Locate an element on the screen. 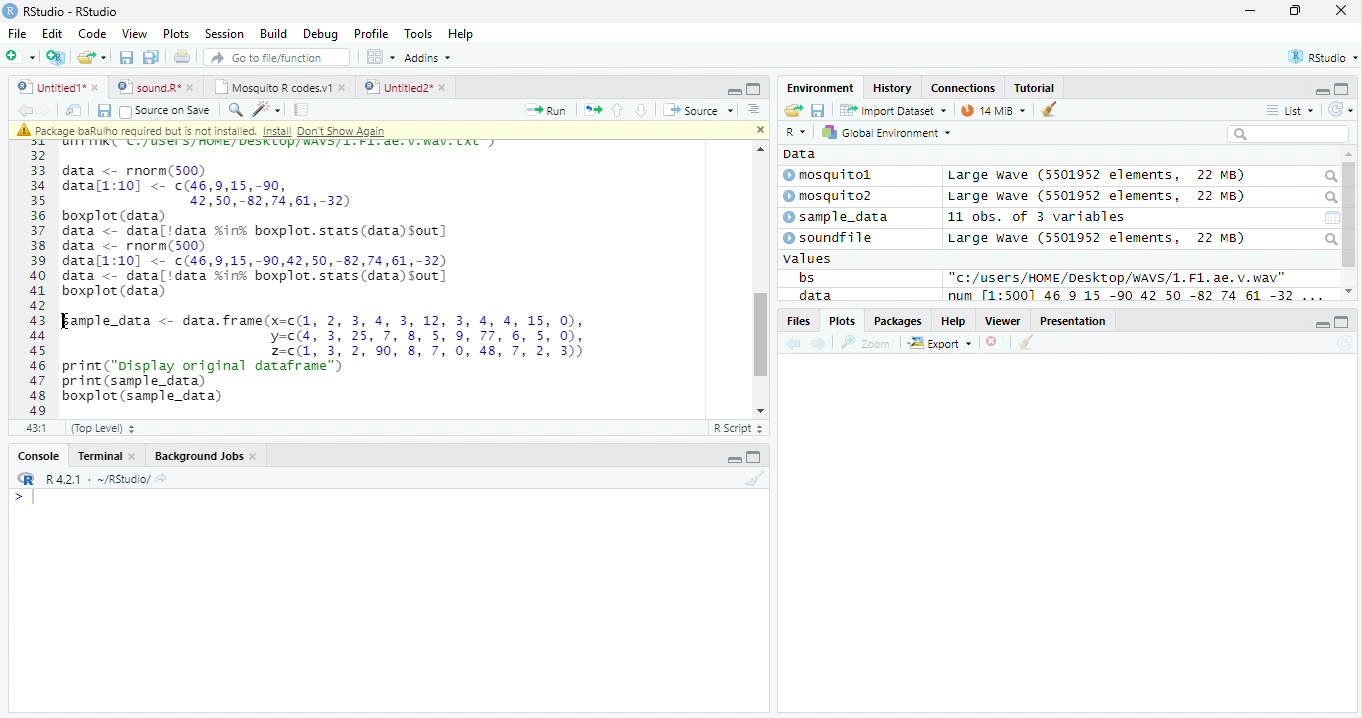  workspace panes is located at coordinates (382, 57).